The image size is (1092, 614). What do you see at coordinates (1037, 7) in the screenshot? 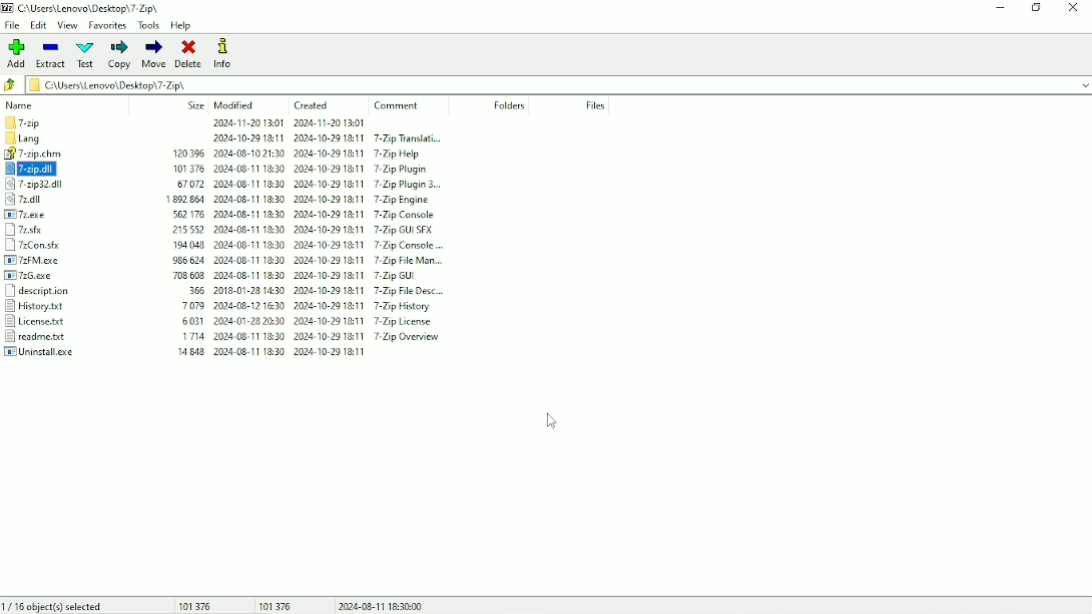
I see `Restore down` at bounding box center [1037, 7].